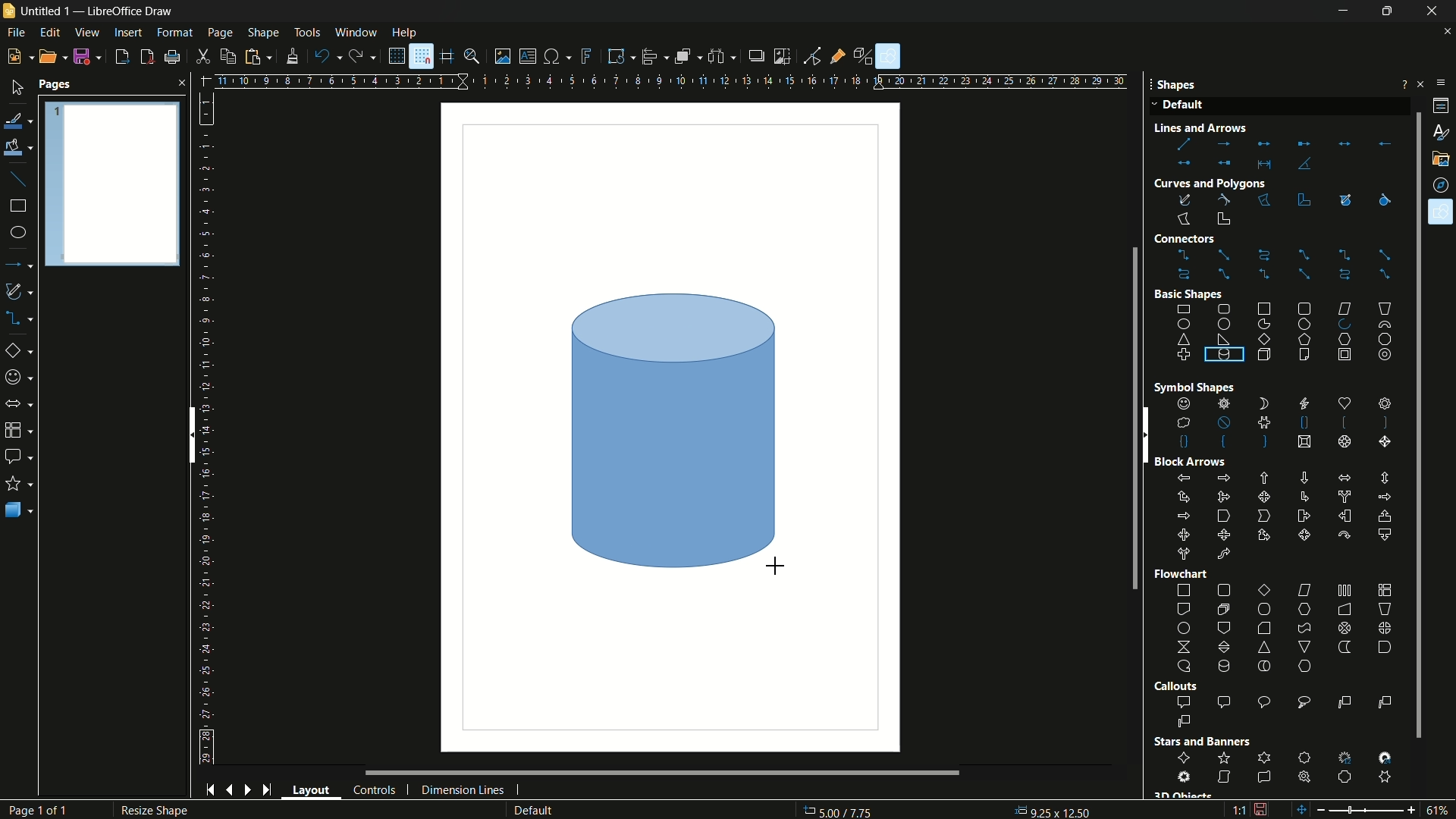  What do you see at coordinates (19, 510) in the screenshot?
I see `3D objects` at bounding box center [19, 510].